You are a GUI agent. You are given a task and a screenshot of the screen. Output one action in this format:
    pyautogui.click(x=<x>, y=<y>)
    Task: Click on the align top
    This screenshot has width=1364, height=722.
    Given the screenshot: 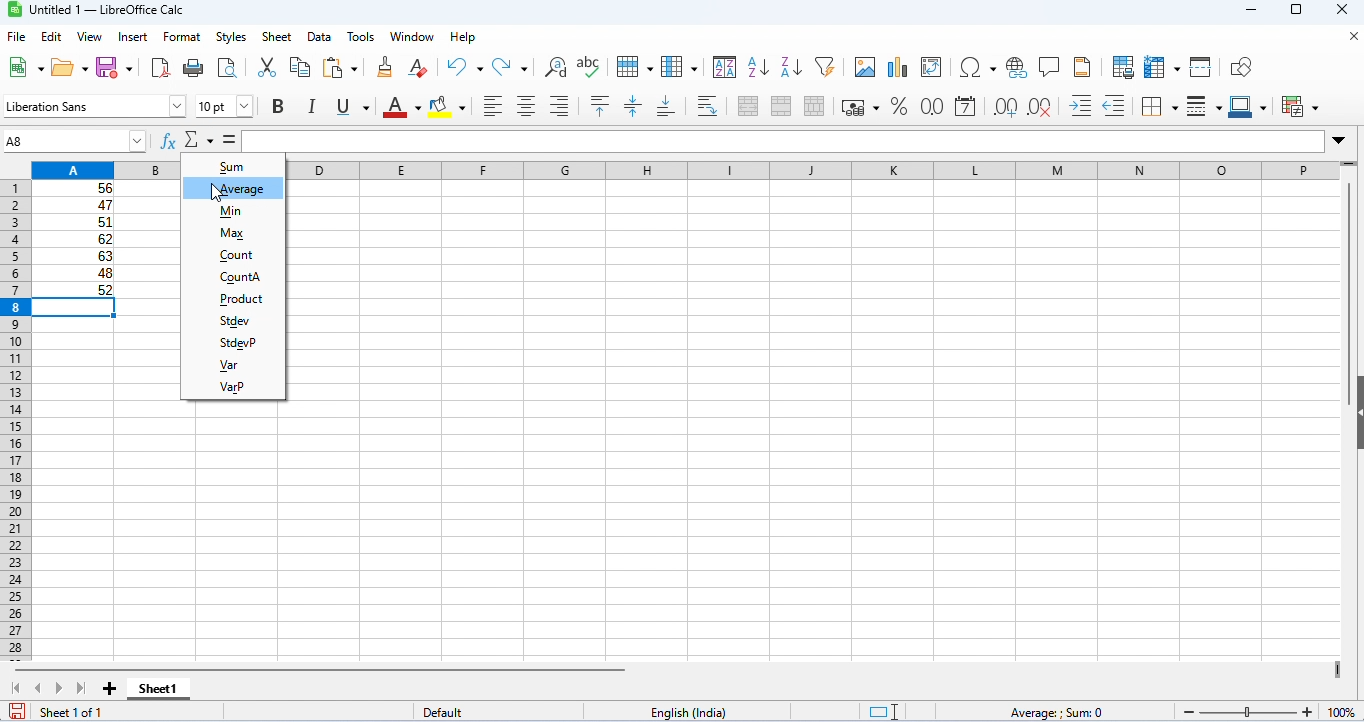 What is the action you would take?
    pyautogui.click(x=602, y=106)
    